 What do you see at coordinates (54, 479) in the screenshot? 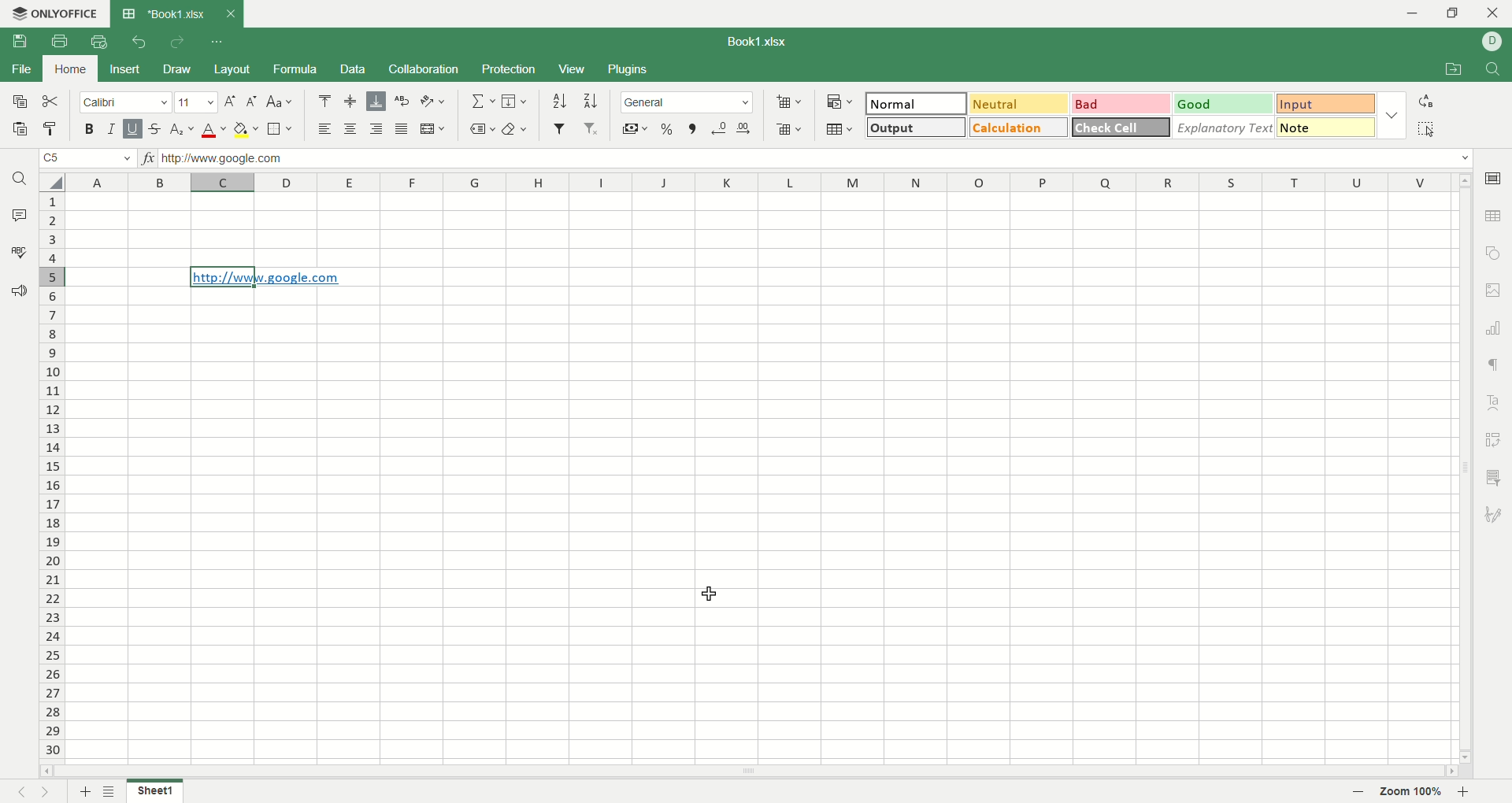
I see `rows` at bounding box center [54, 479].